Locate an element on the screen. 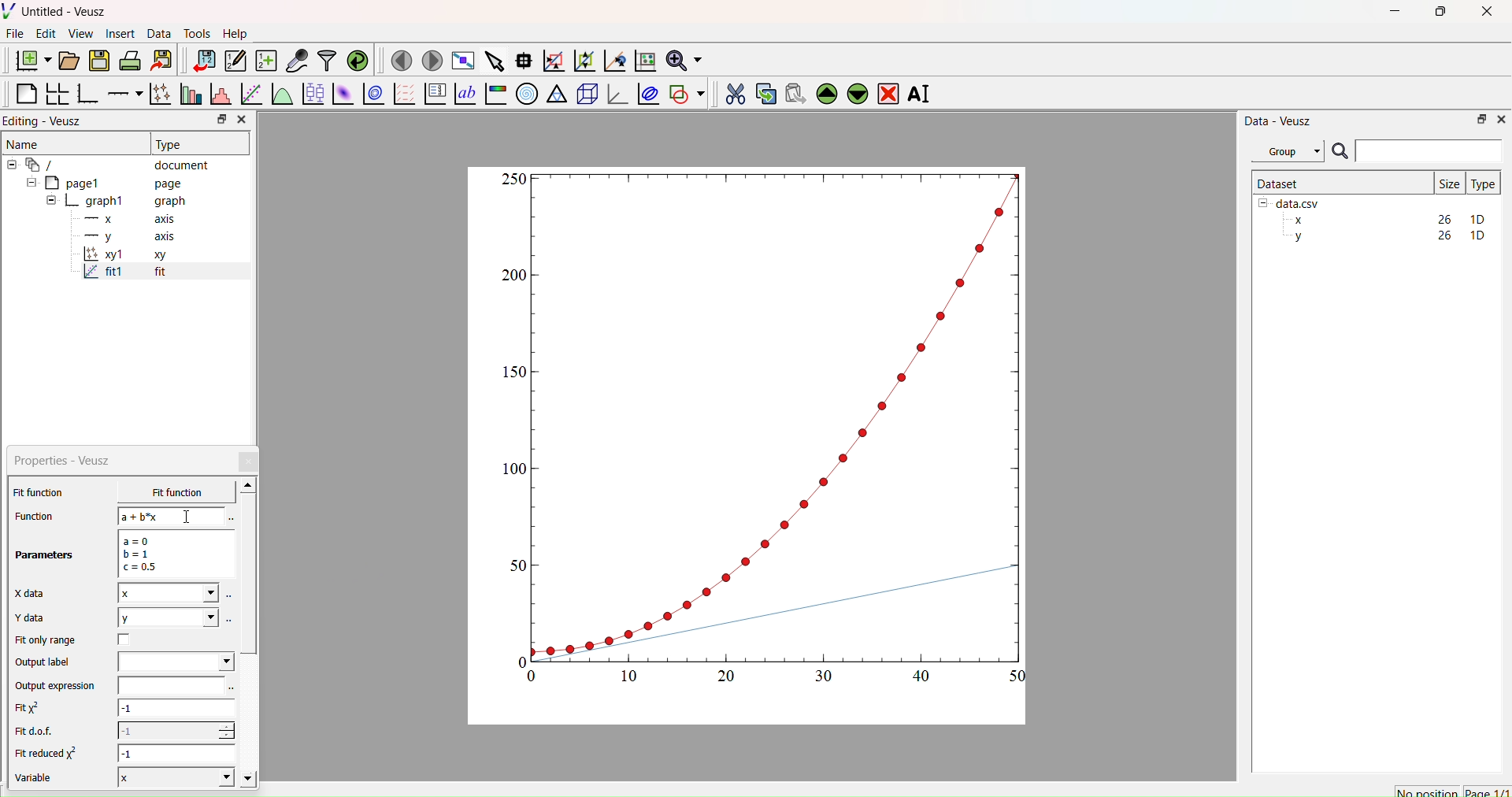  Zoom graph axes is located at coordinates (553, 61).